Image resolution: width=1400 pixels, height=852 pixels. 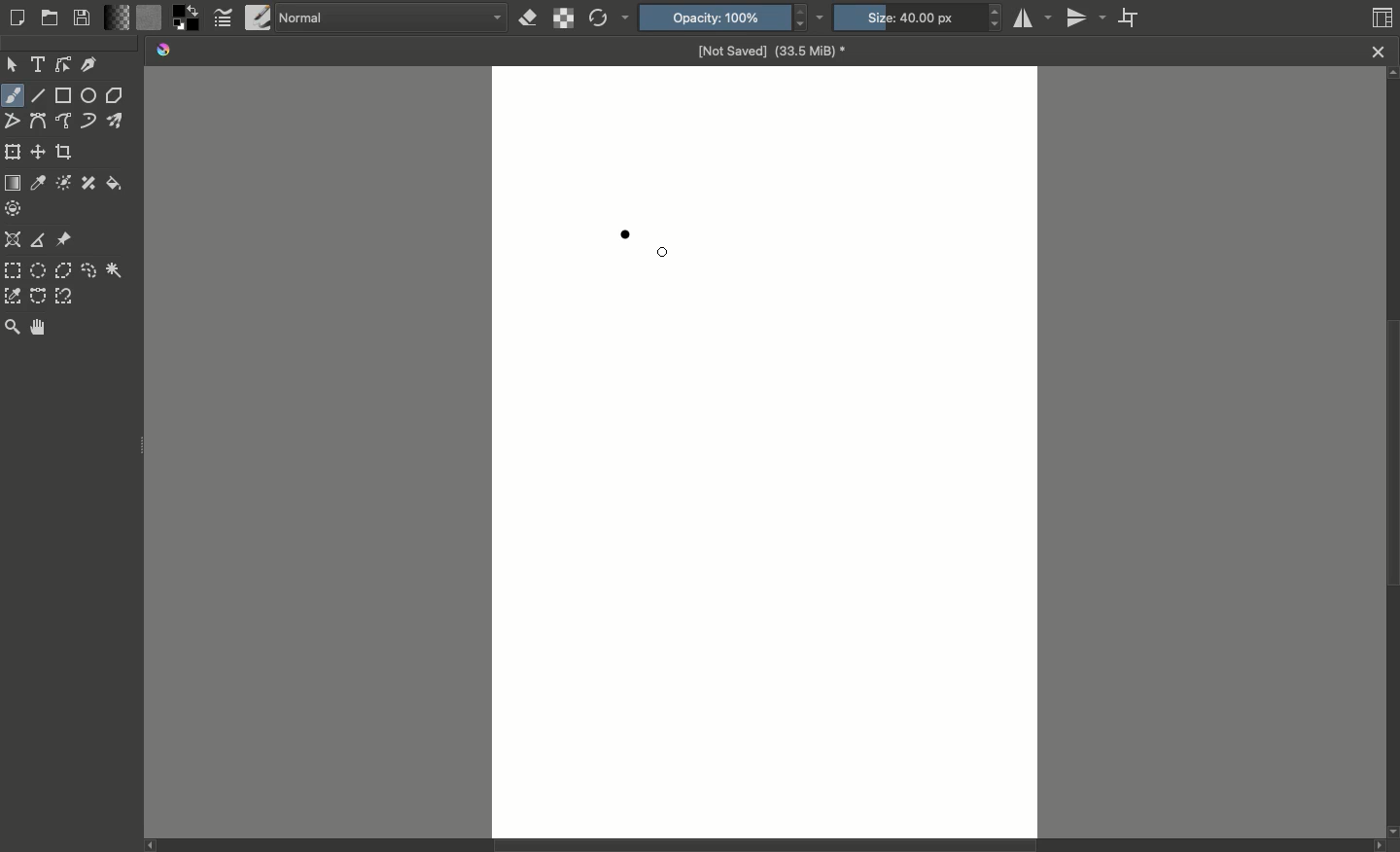 What do you see at coordinates (63, 270) in the screenshot?
I see `Polygonal selection tool` at bounding box center [63, 270].